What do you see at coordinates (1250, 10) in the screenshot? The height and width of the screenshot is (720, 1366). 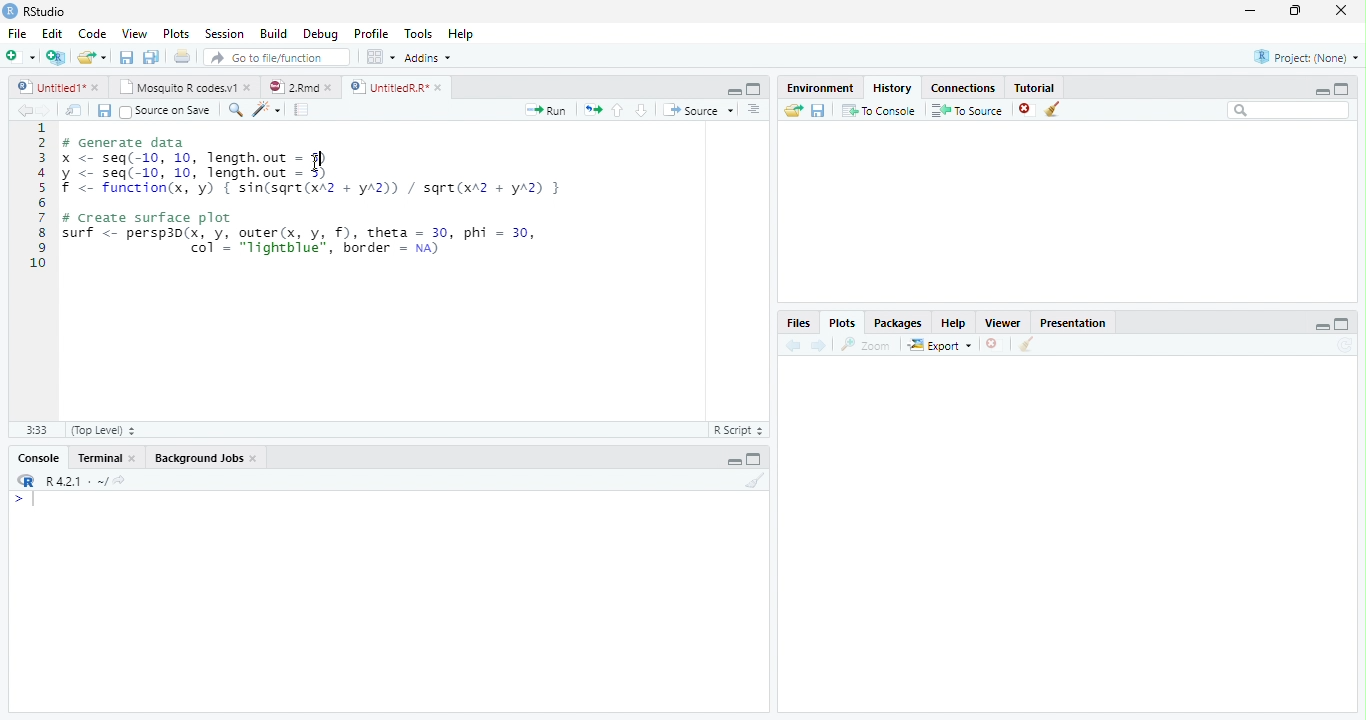 I see `minimize` at bounding box center [1250, 10].